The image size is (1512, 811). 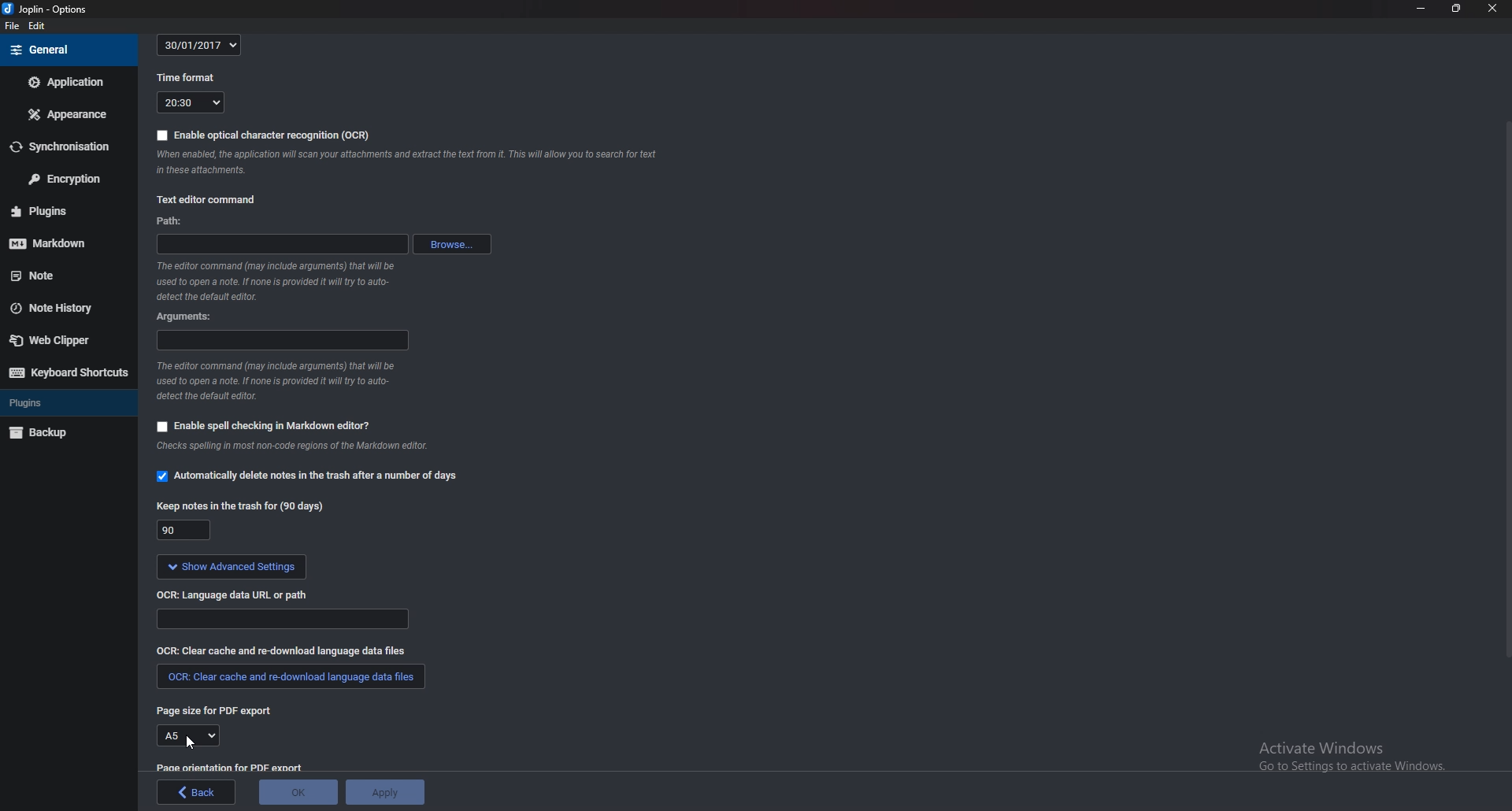 I want to click on Plugins, so click(x=66, y=402).